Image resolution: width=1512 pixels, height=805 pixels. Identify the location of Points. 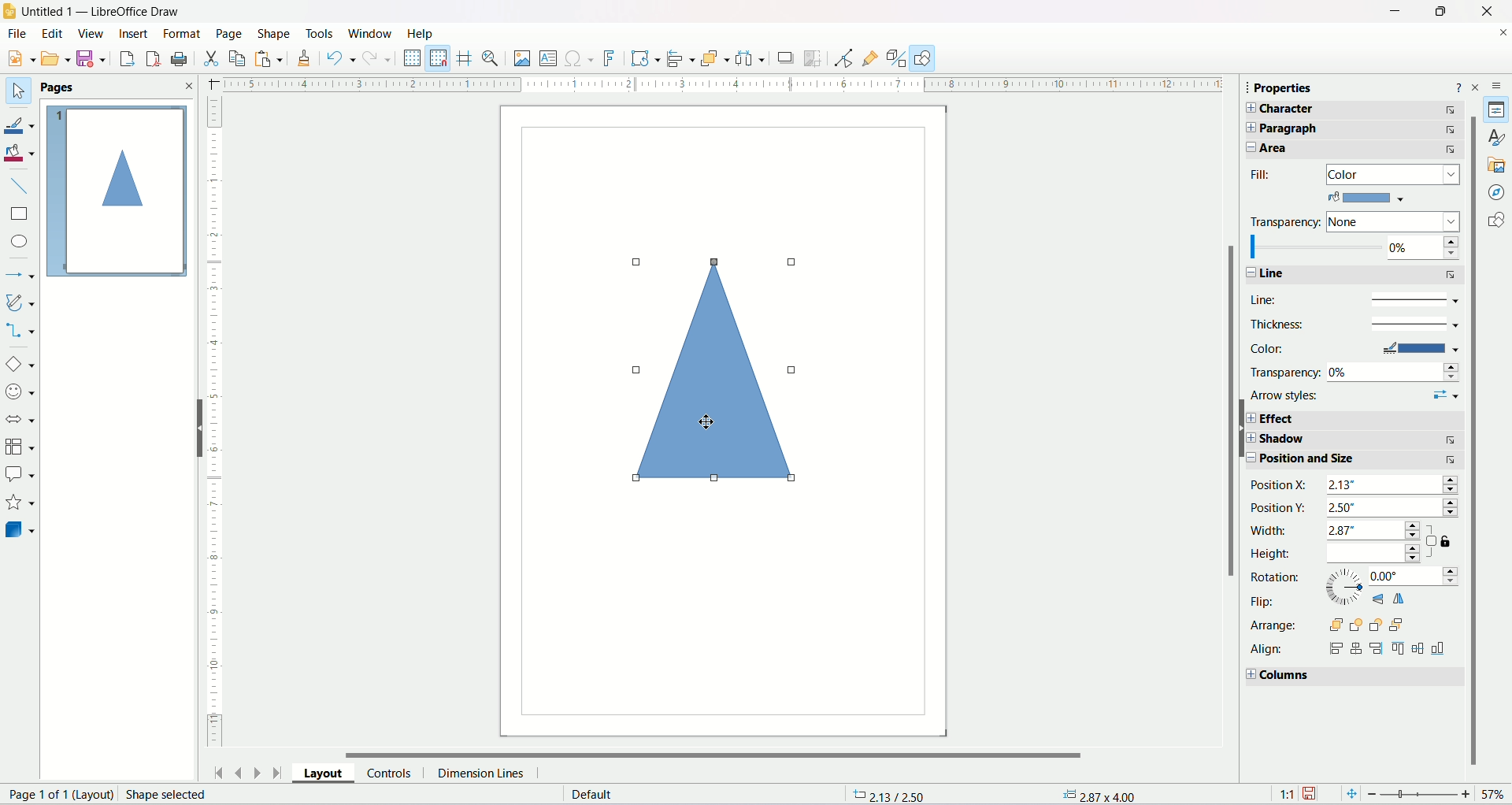
(843, 57).